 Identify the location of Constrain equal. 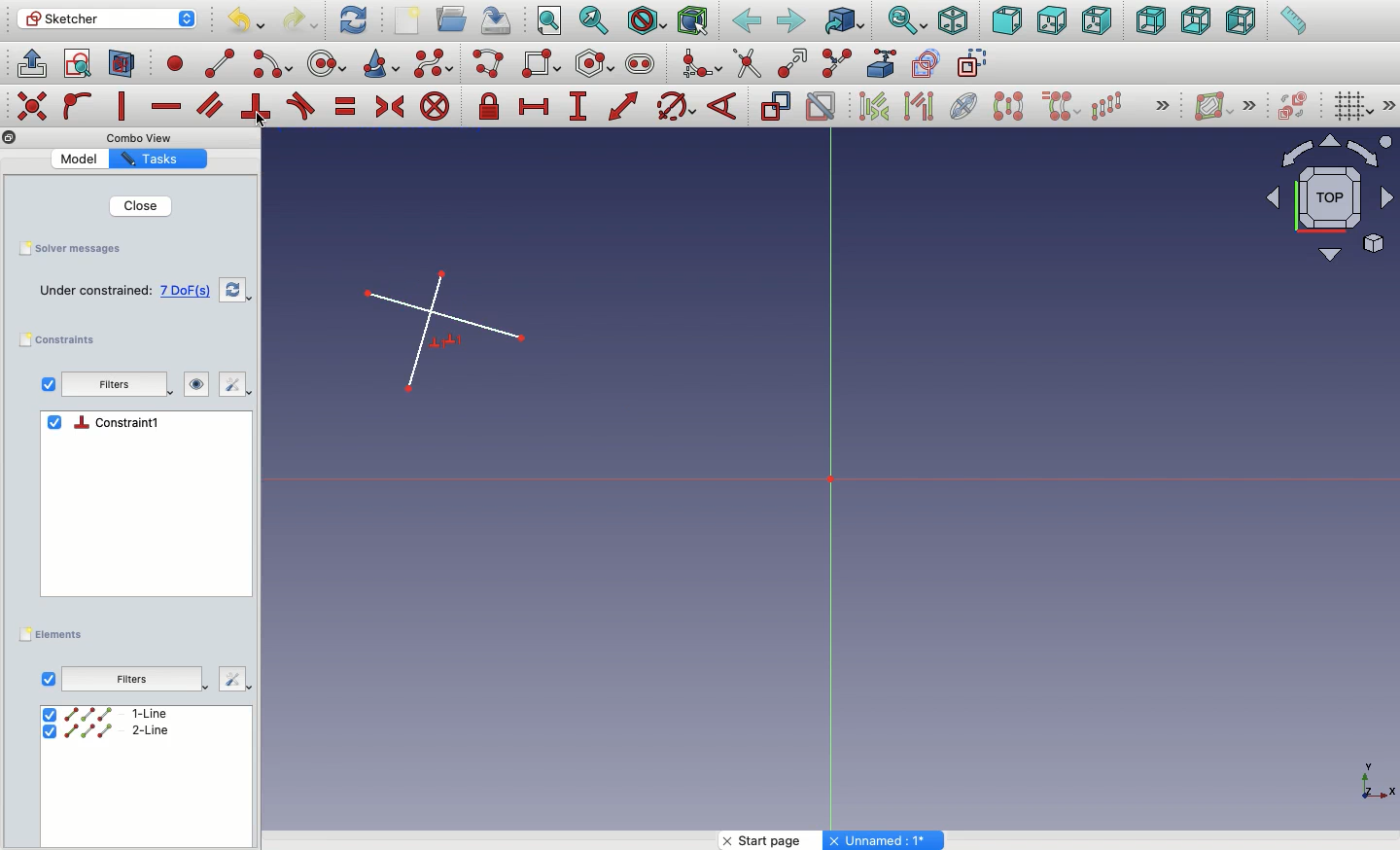
(346, 110).